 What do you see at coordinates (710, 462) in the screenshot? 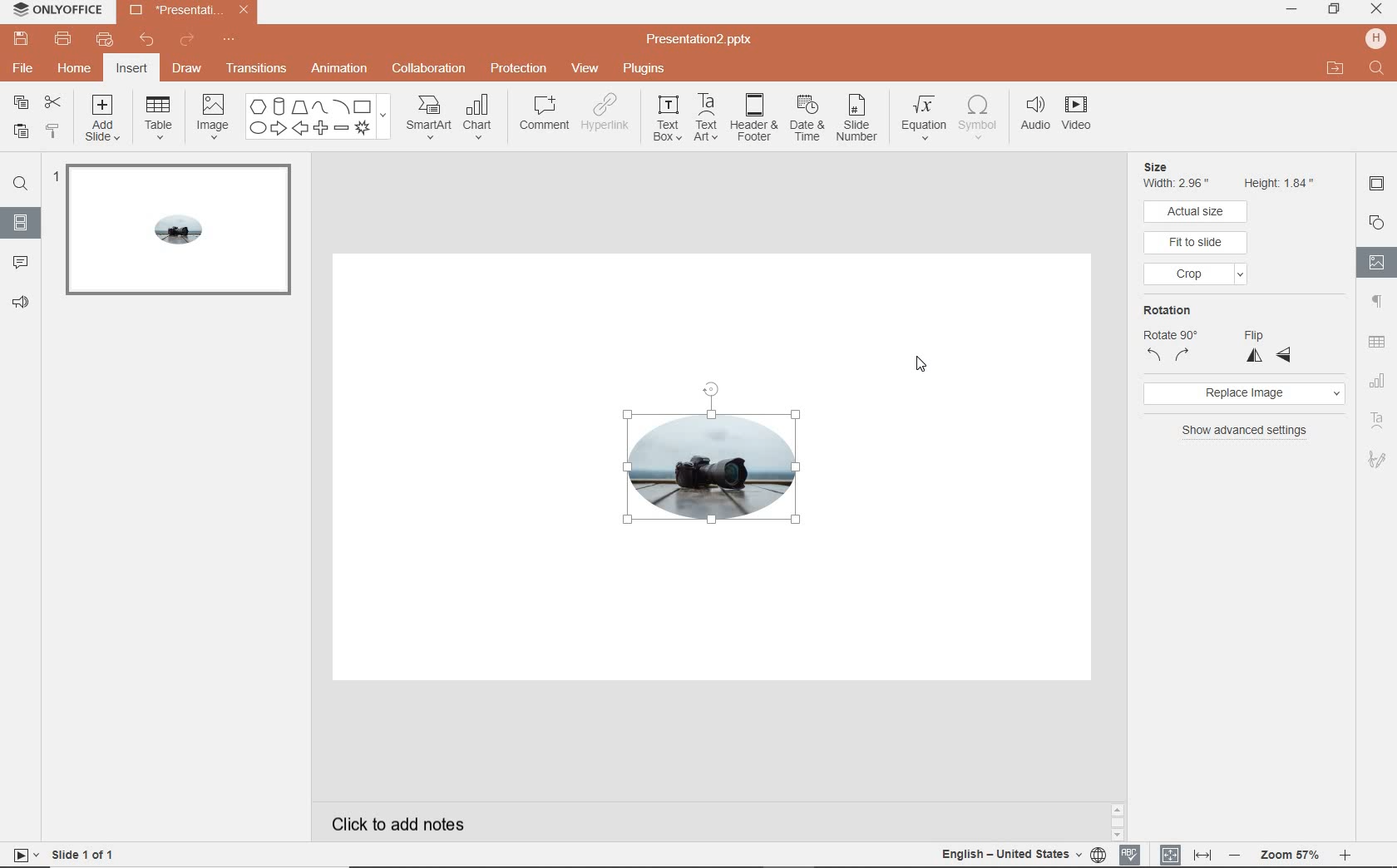
I see `image cropped to oval` at bounding box center [710, 462].